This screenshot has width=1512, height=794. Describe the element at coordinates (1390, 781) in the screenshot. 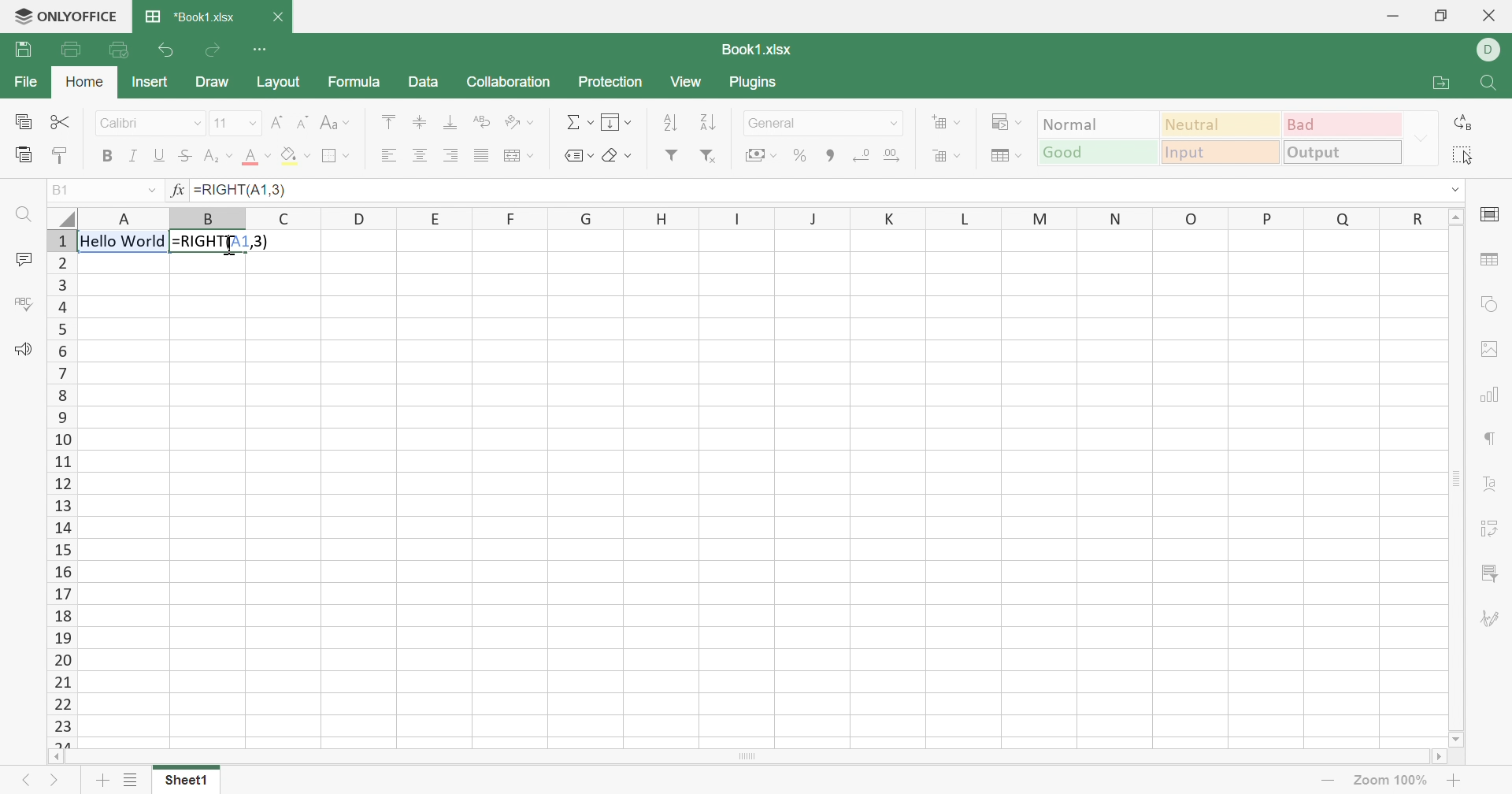

I see `Zoom 100%` at that location.